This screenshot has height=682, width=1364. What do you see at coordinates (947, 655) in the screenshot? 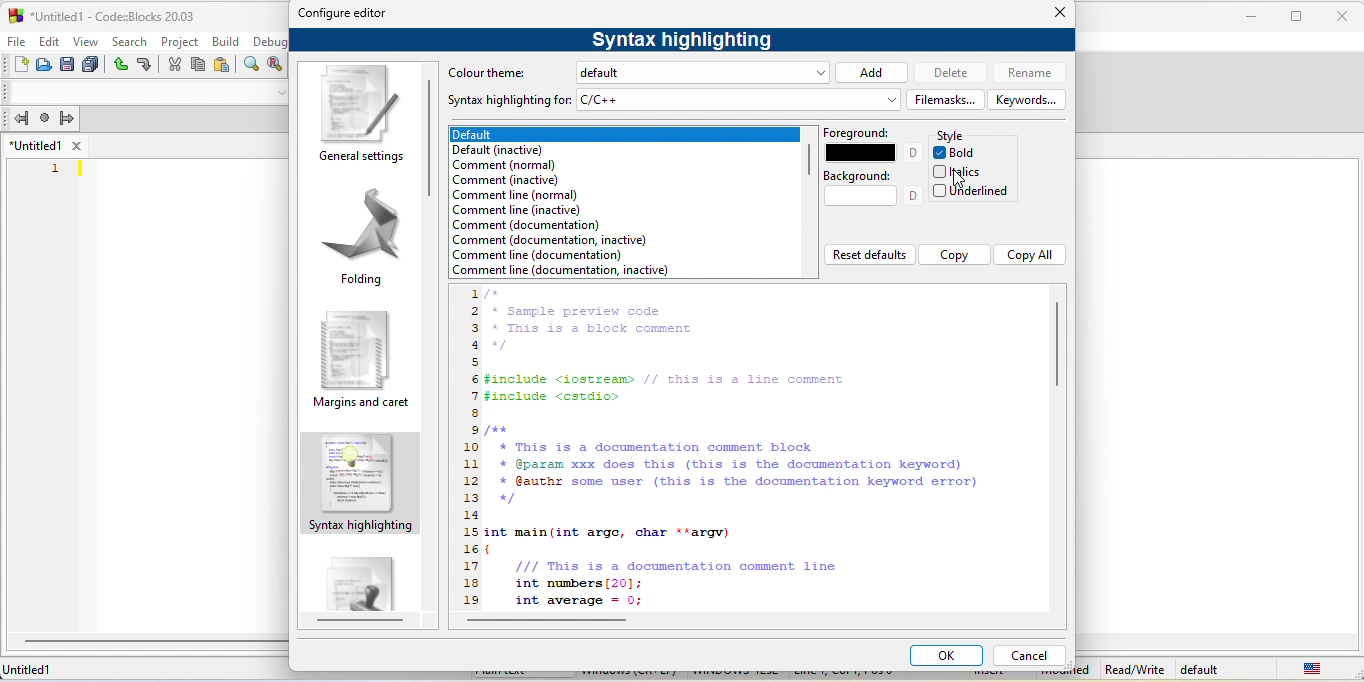
I see `ok` at bounding box center [947, 655].